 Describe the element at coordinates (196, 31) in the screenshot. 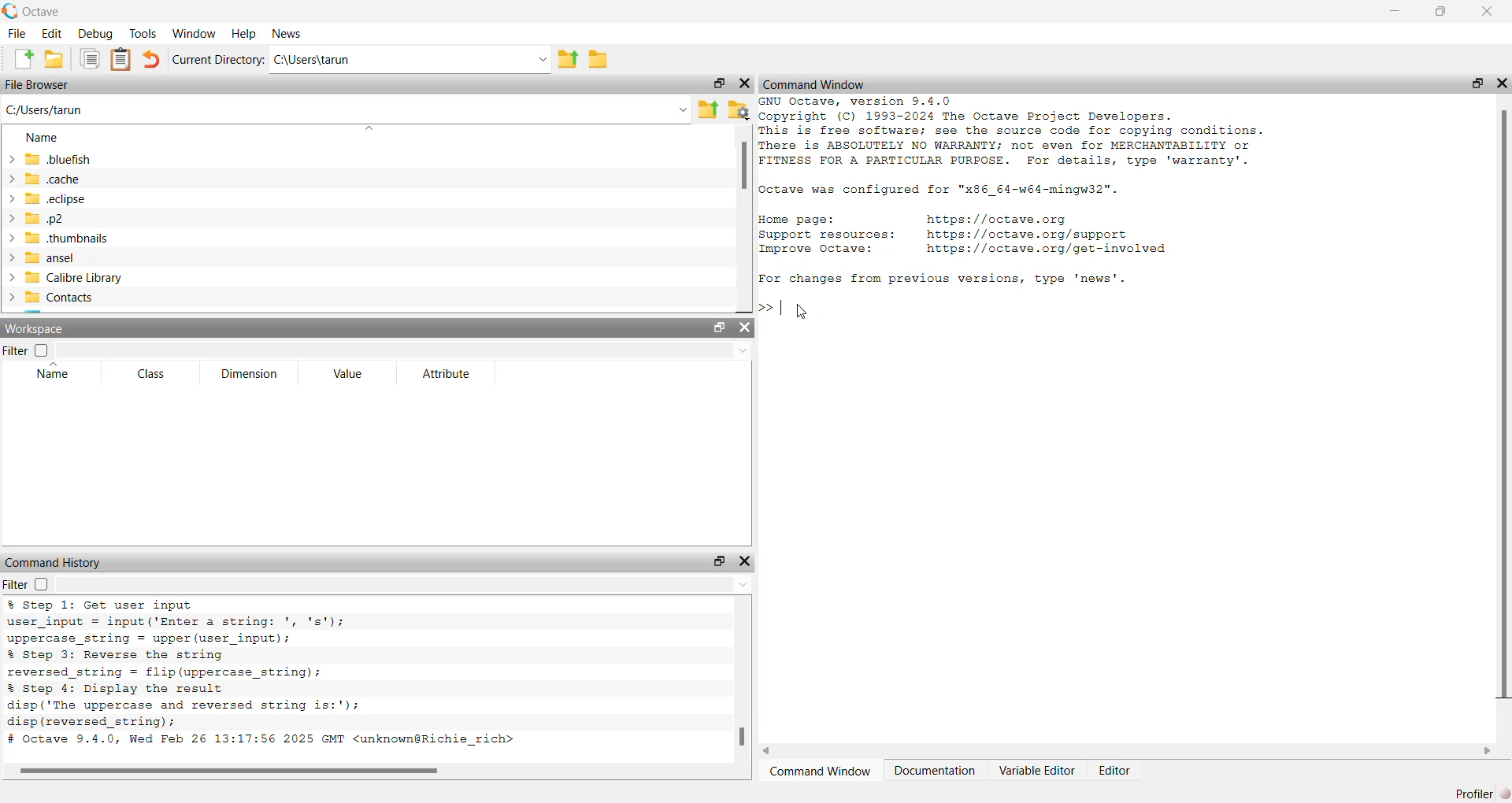

I see `window` at that location.